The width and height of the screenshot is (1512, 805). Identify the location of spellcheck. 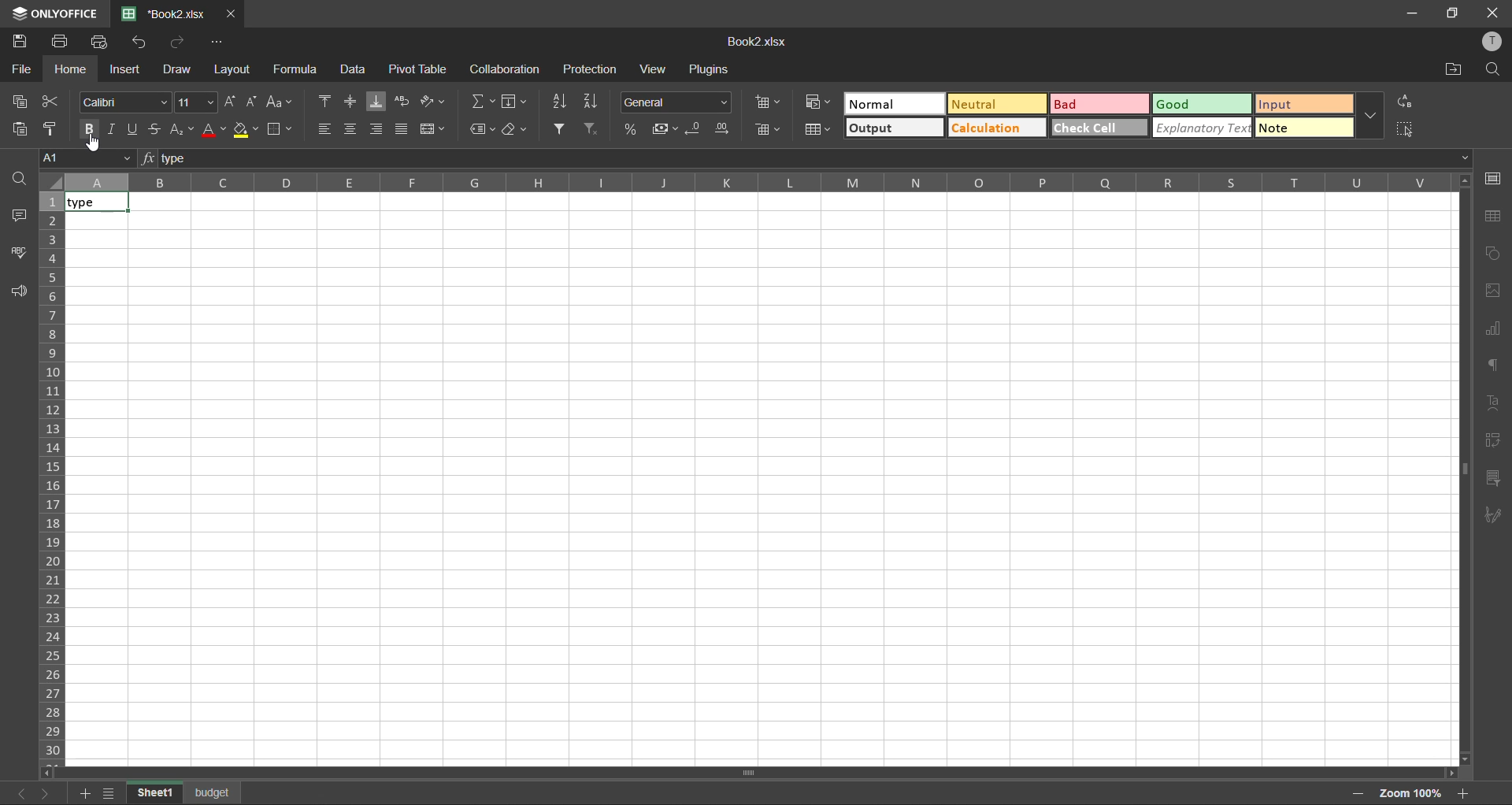
(18, 251).